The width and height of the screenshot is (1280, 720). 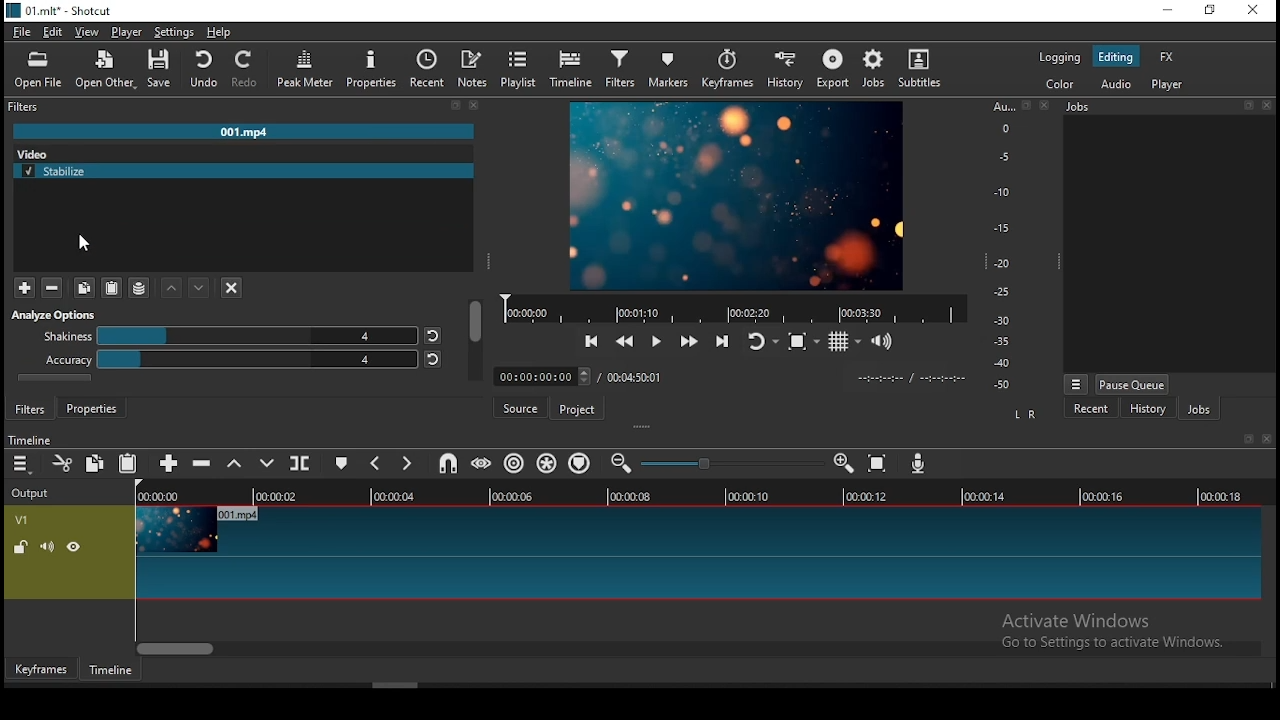 What do you see at coordinates (635, 552) in the screenshot?
I see `video track` at bounding box center [635, 552].